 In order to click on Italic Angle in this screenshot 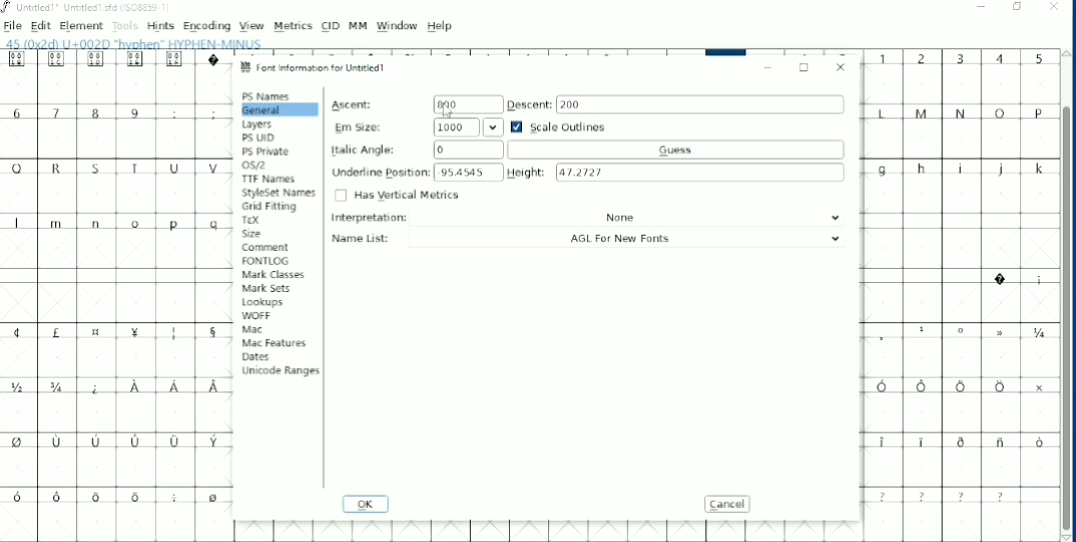, I will do `click(579, 149)`.